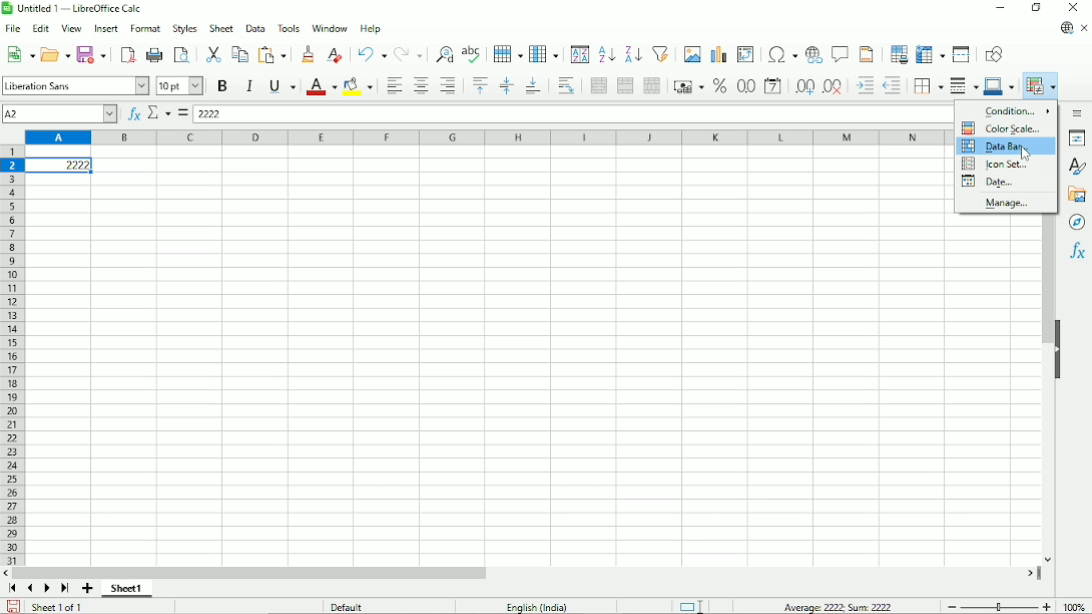 This screenshot has width=1092, height=614. Describe the element at coordinates (926, 86) in the screenshot. I see `Borders` at that location.